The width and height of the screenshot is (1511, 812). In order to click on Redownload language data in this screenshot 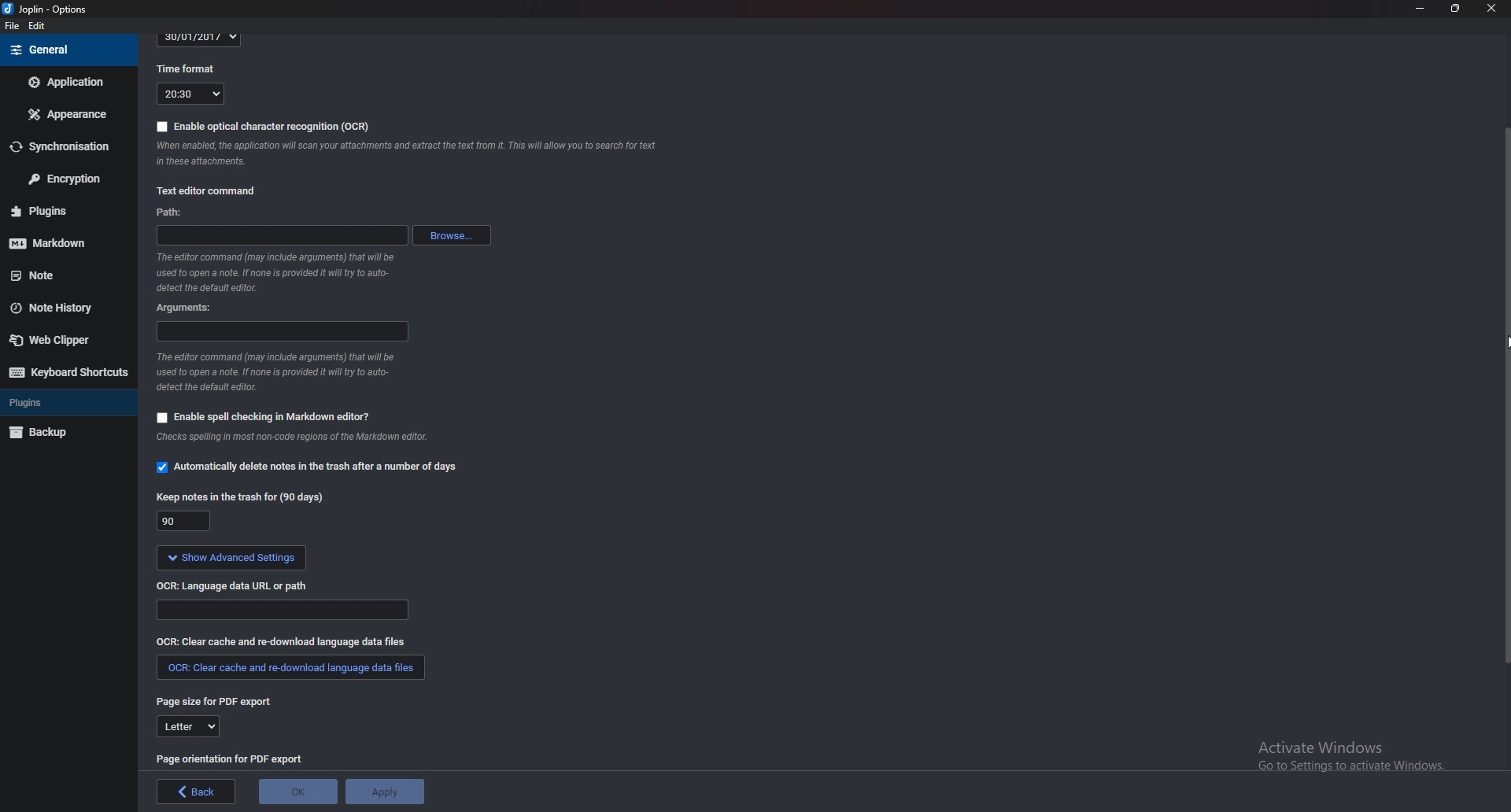, I will do `click(291, 668)`.